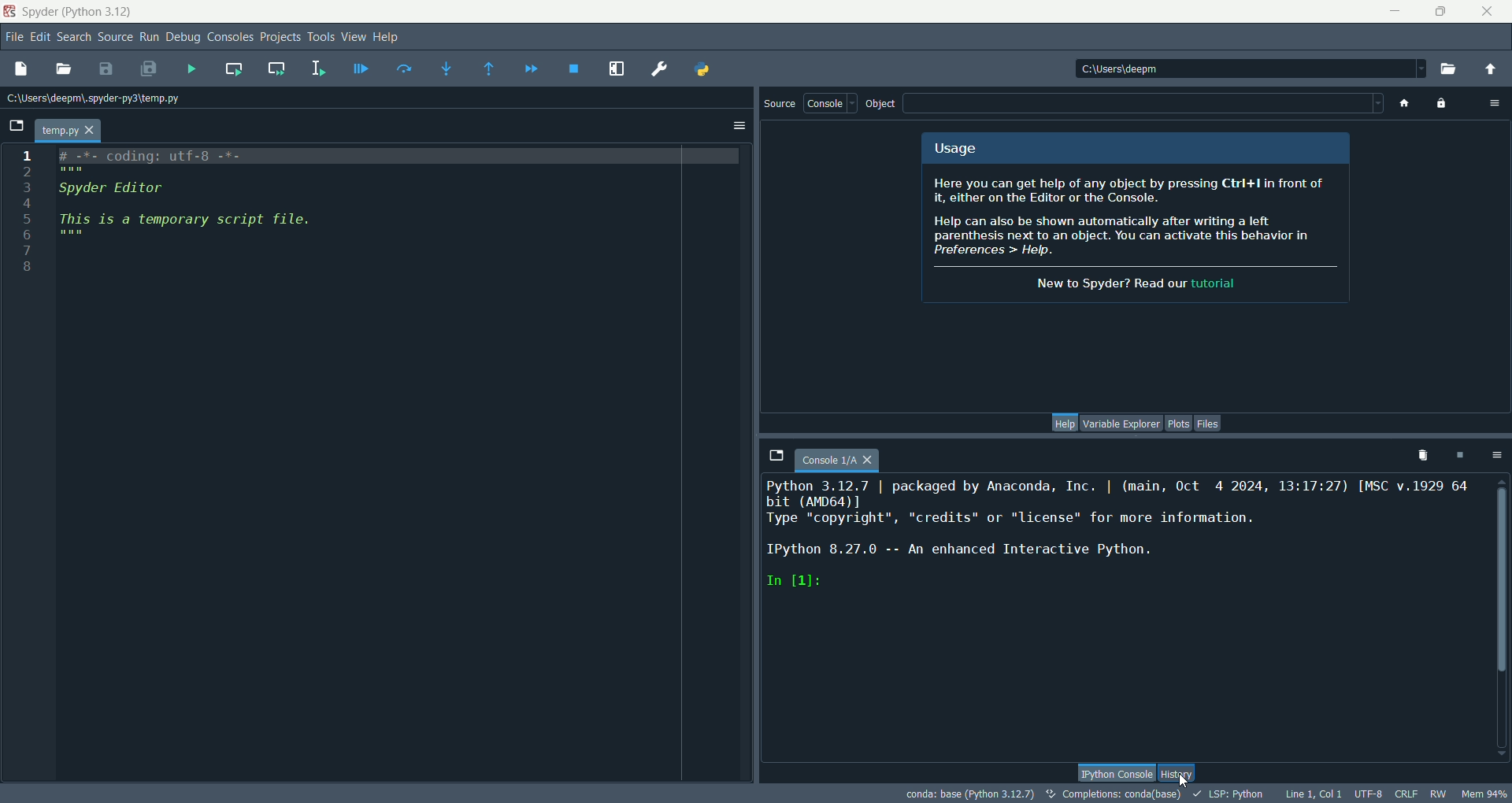 The image size is (1512, 803). Describe the element at coordinates (1120, 424) in the screenshot. I see `variable explorer` at that location.